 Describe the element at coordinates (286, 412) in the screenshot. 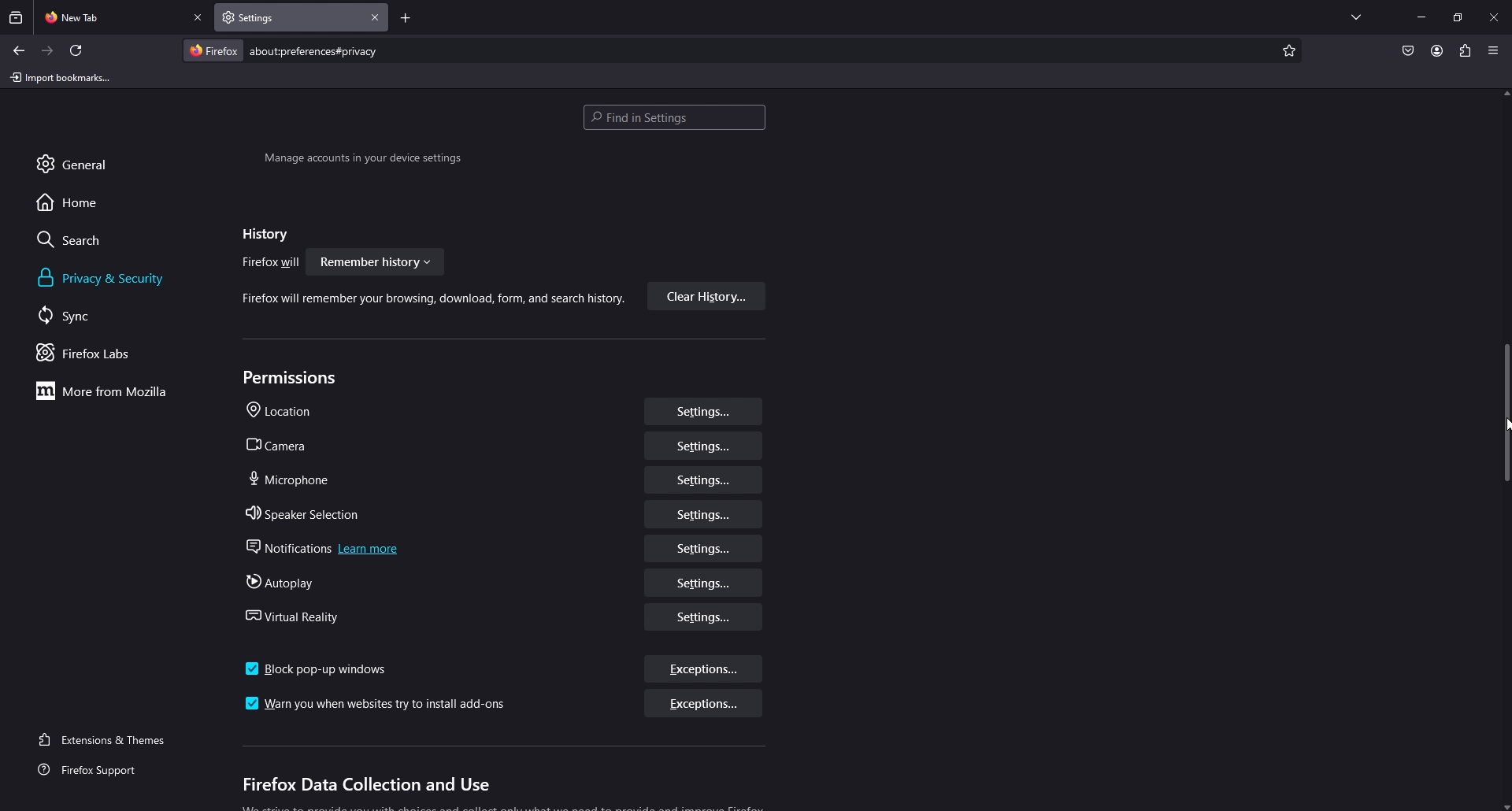

I see `location` at that location.